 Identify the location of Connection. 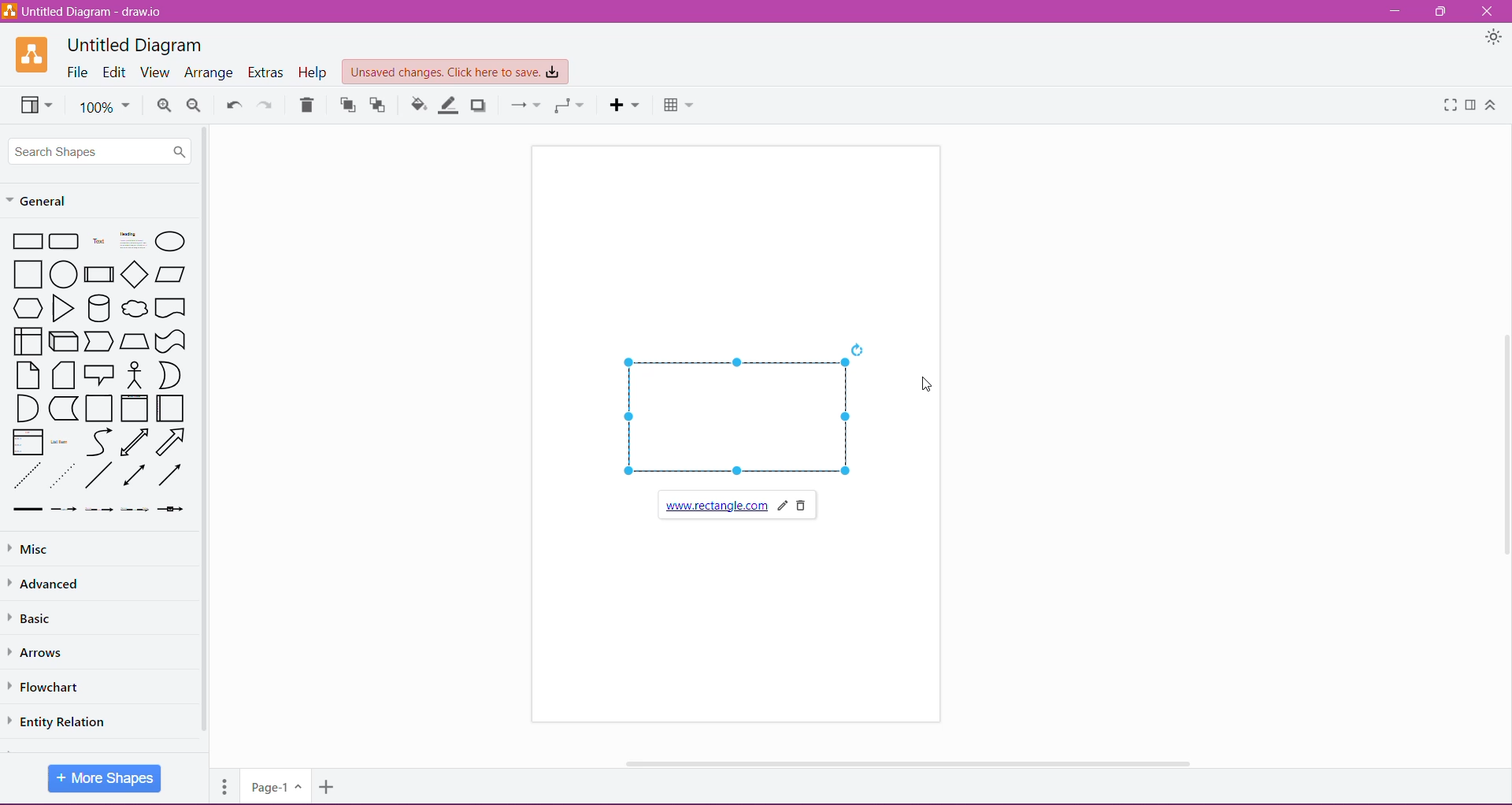
(525, 106).